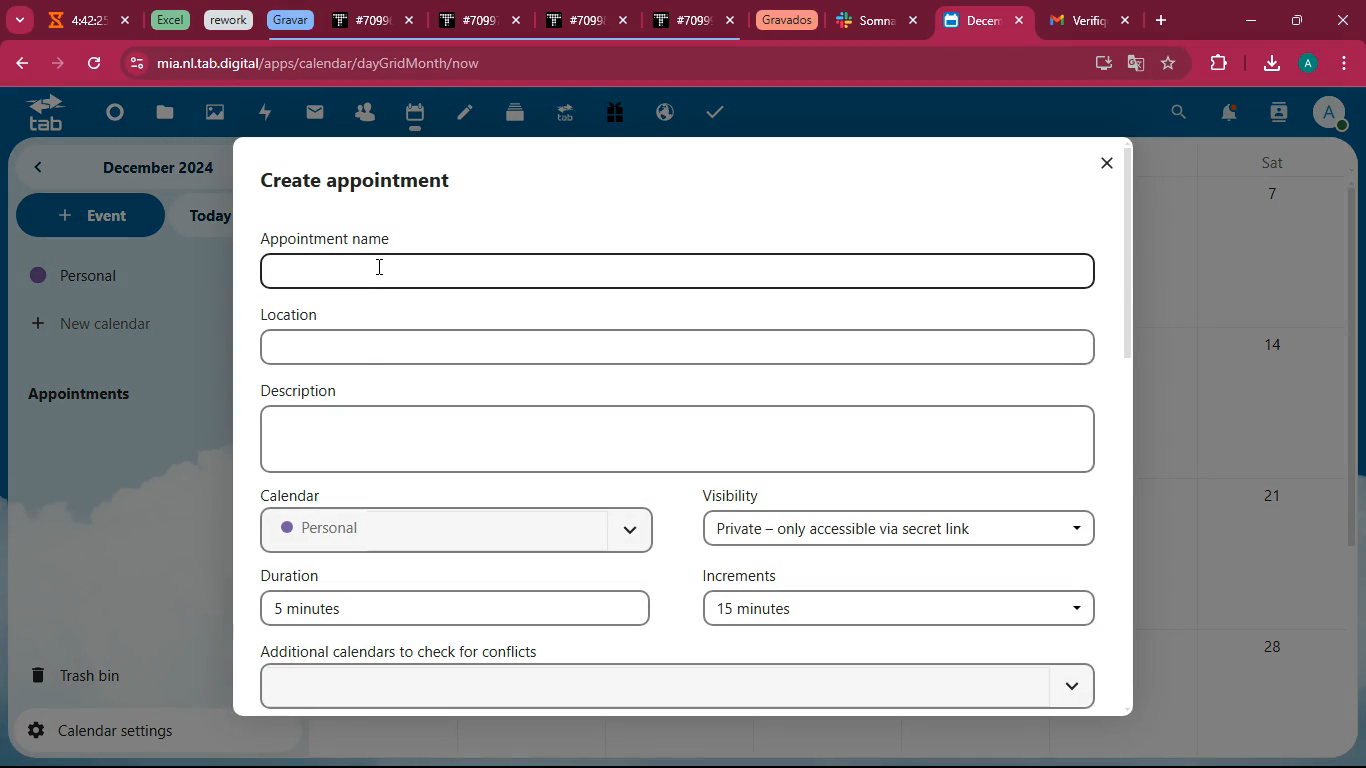 This screenshot has width=1366, height=768. What do you see at coordinates (94, 64) in the screenshot?
I see `refresh` at bounding box center [94, 64].